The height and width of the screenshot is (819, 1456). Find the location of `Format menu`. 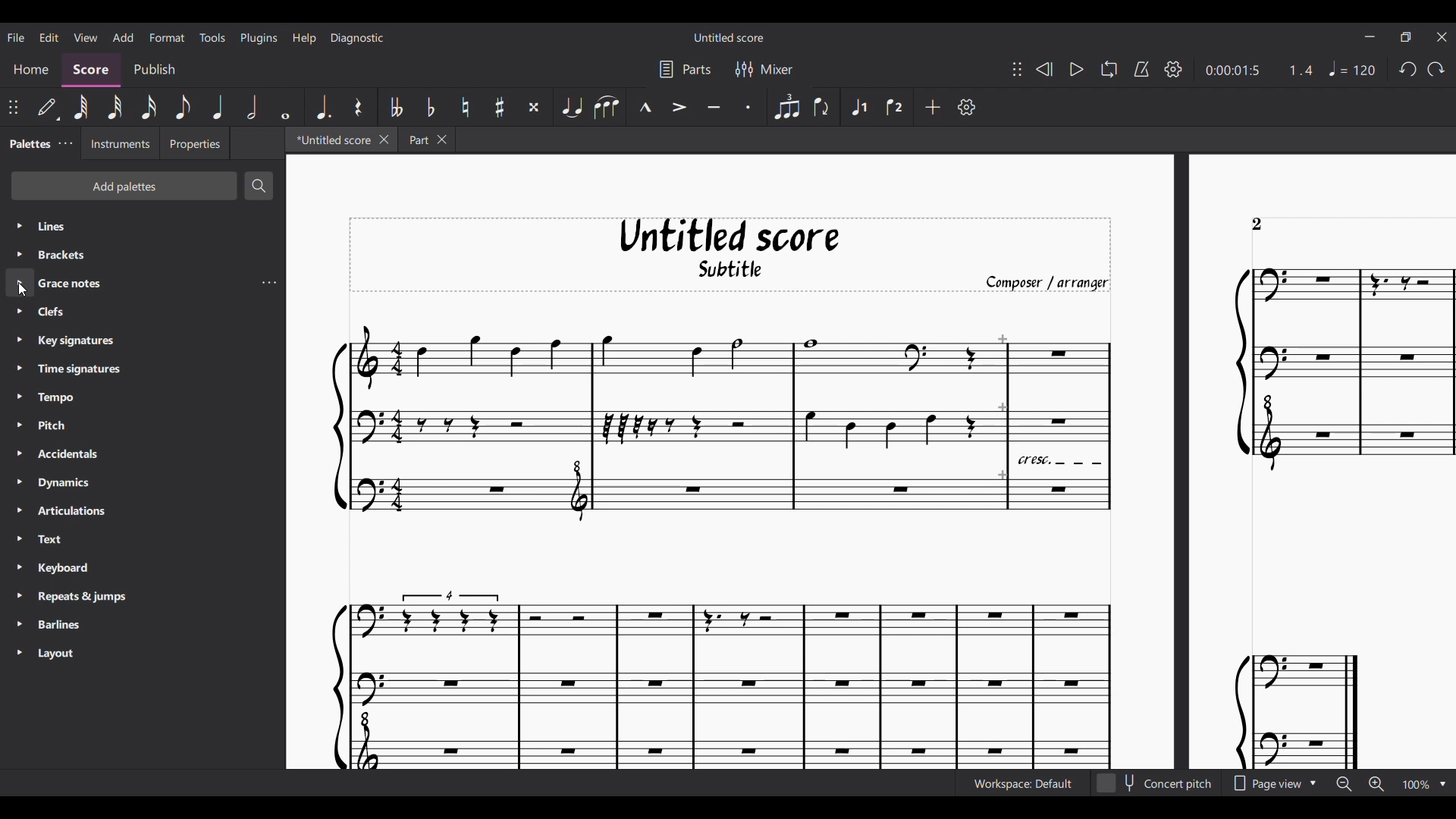

Format menu is located at coordinates (167, 37).